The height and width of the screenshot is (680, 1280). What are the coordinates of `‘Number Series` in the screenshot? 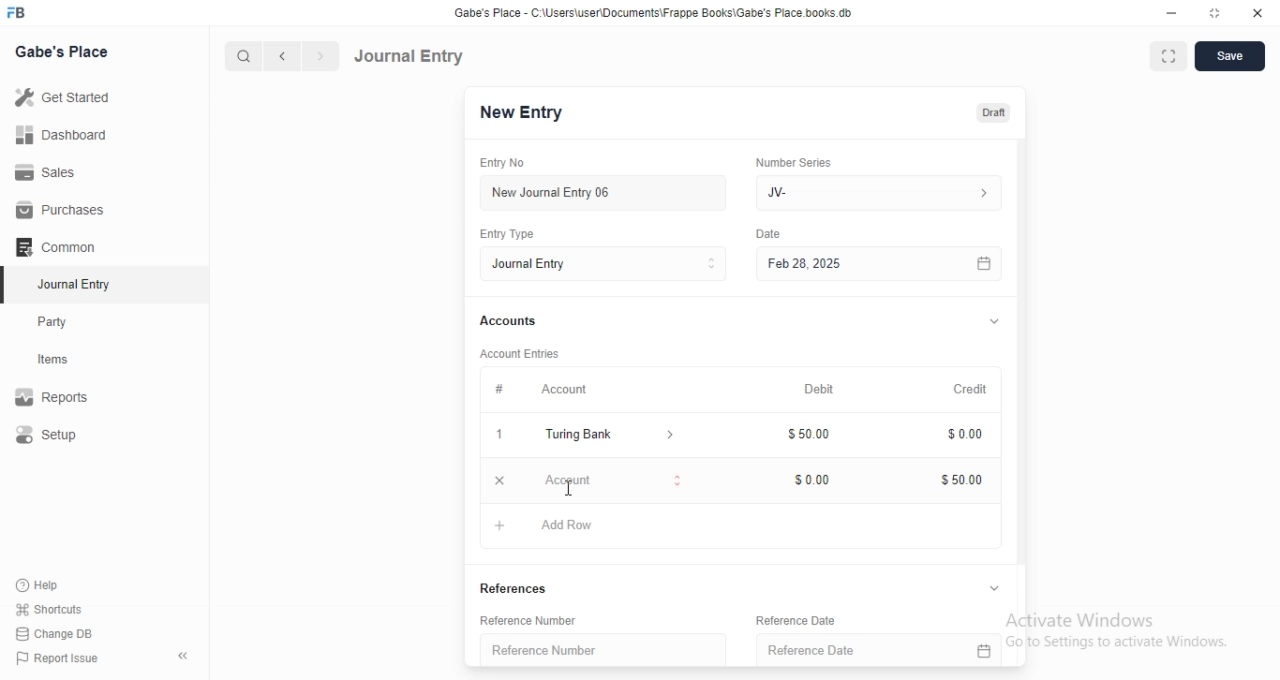 It's located at (805, 160).